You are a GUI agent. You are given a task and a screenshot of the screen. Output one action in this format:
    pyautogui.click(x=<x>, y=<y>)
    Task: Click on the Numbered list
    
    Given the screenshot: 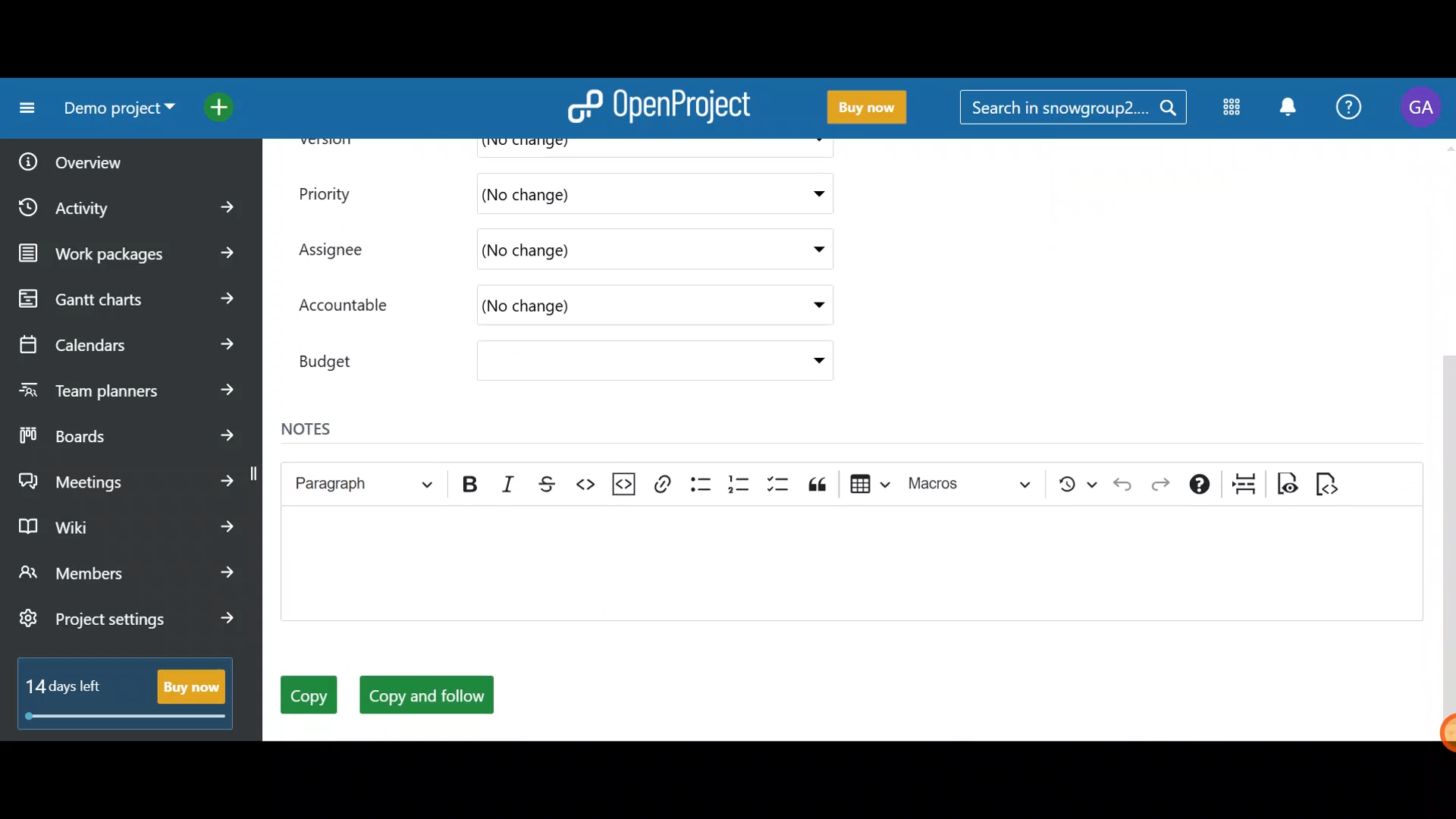 What is the action you would take?
    pyautogui.click(x=743, y=483)
    